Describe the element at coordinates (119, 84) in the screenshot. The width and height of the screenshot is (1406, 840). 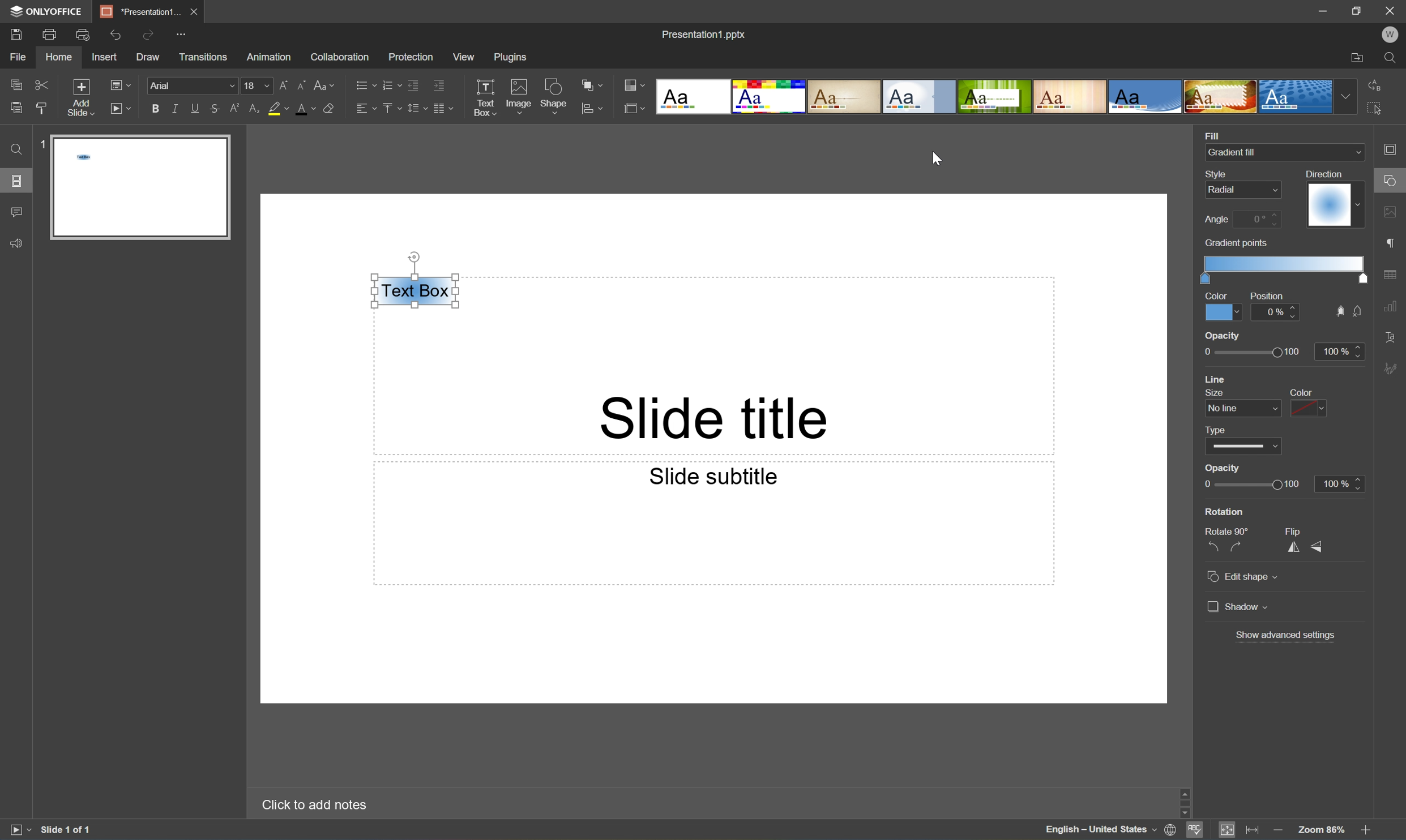
I see `Change slide layout` at that location.